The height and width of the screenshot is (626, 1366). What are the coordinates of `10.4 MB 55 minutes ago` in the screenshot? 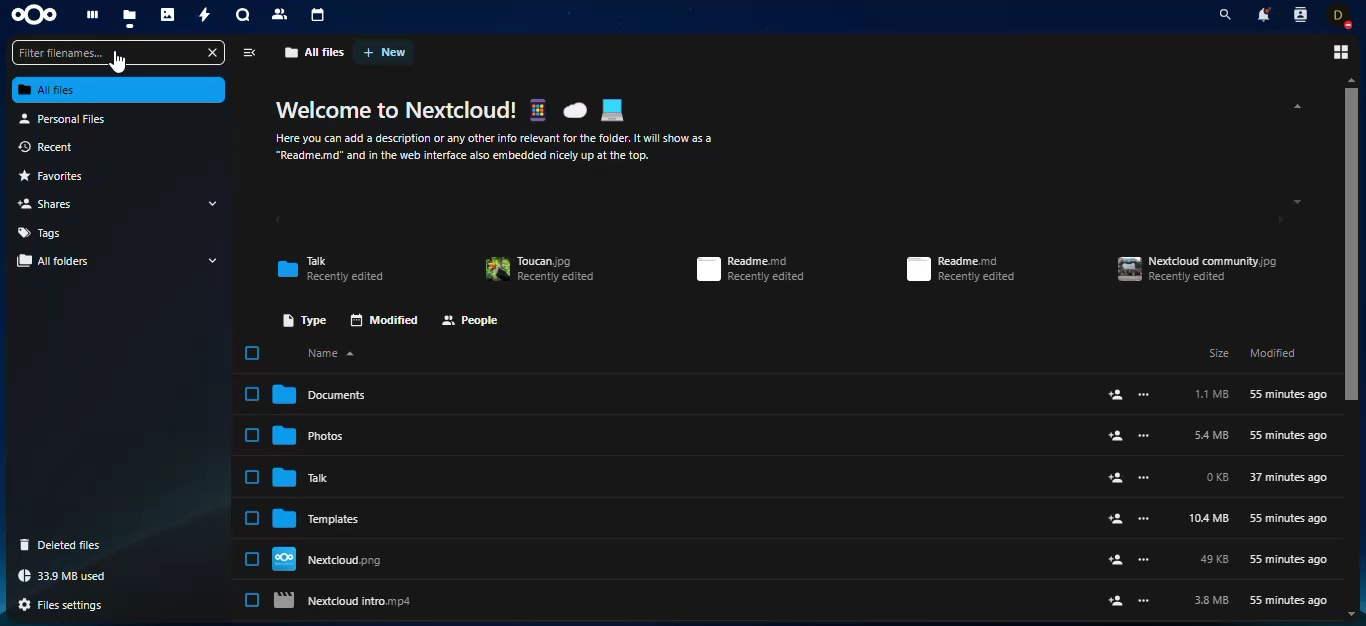 It's located at (1258, 519).